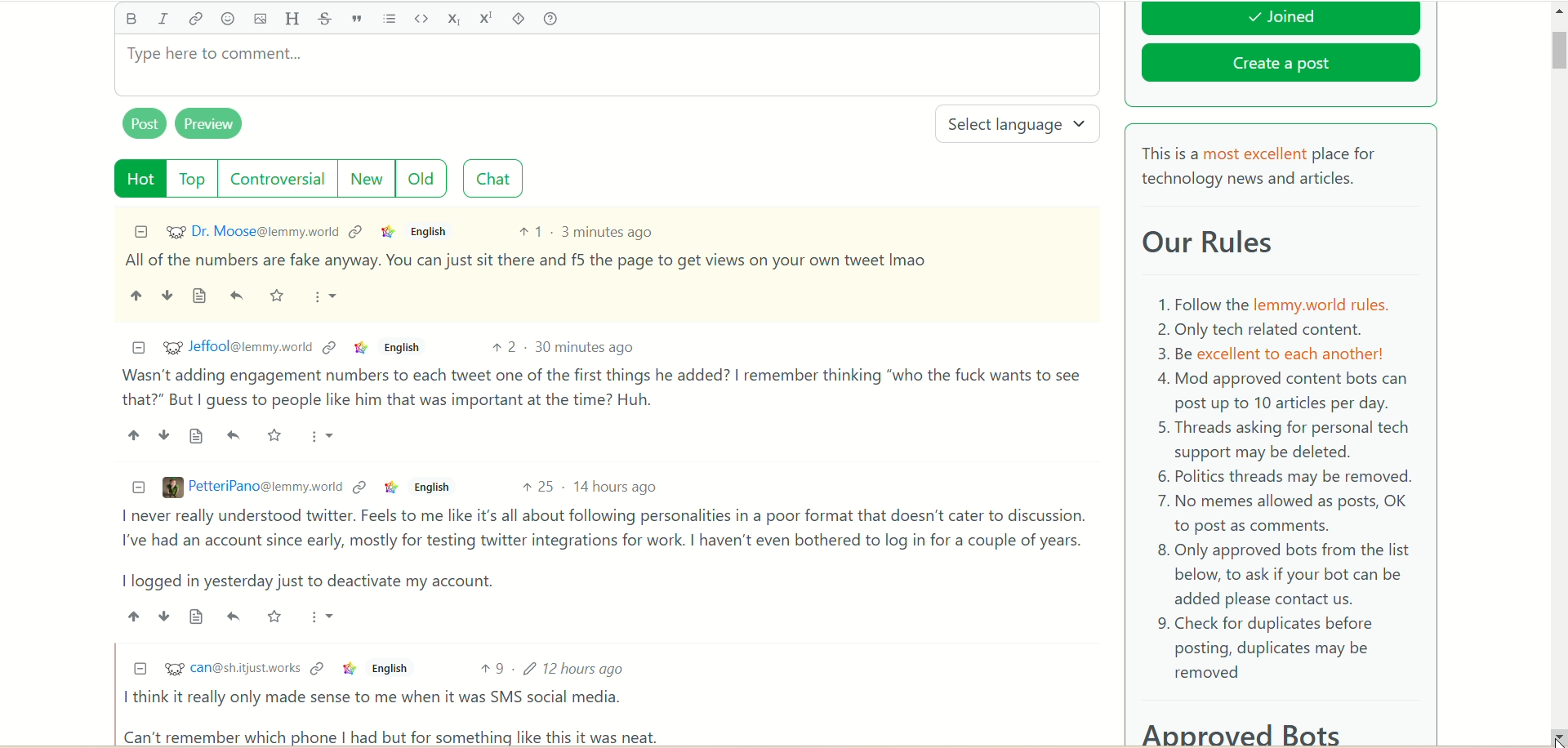 Image resolution: width=1568 pixels, height=748 pixels. I want to click on hot, so click(141, 179).